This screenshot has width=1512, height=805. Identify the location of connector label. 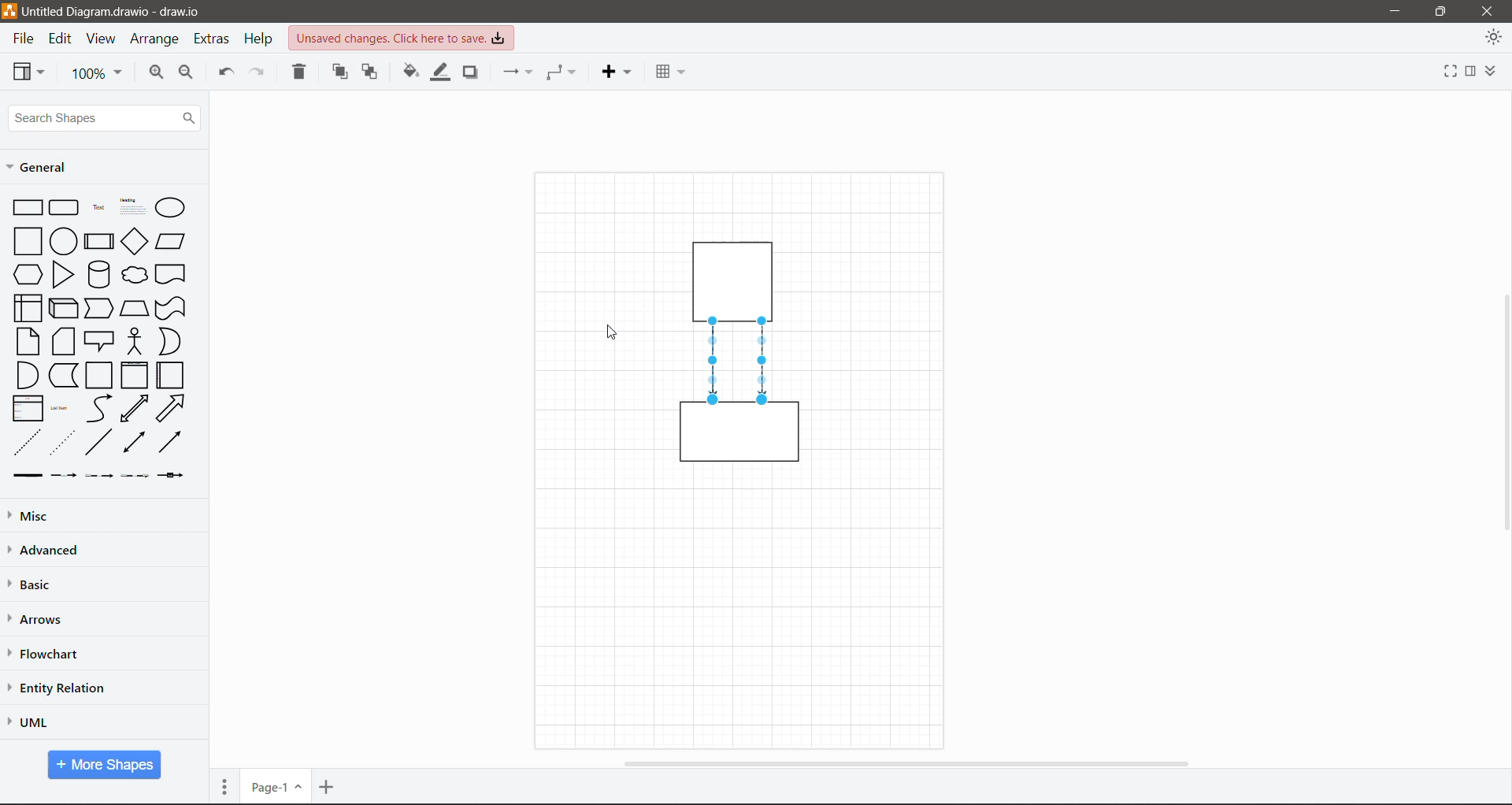
(64, 475).